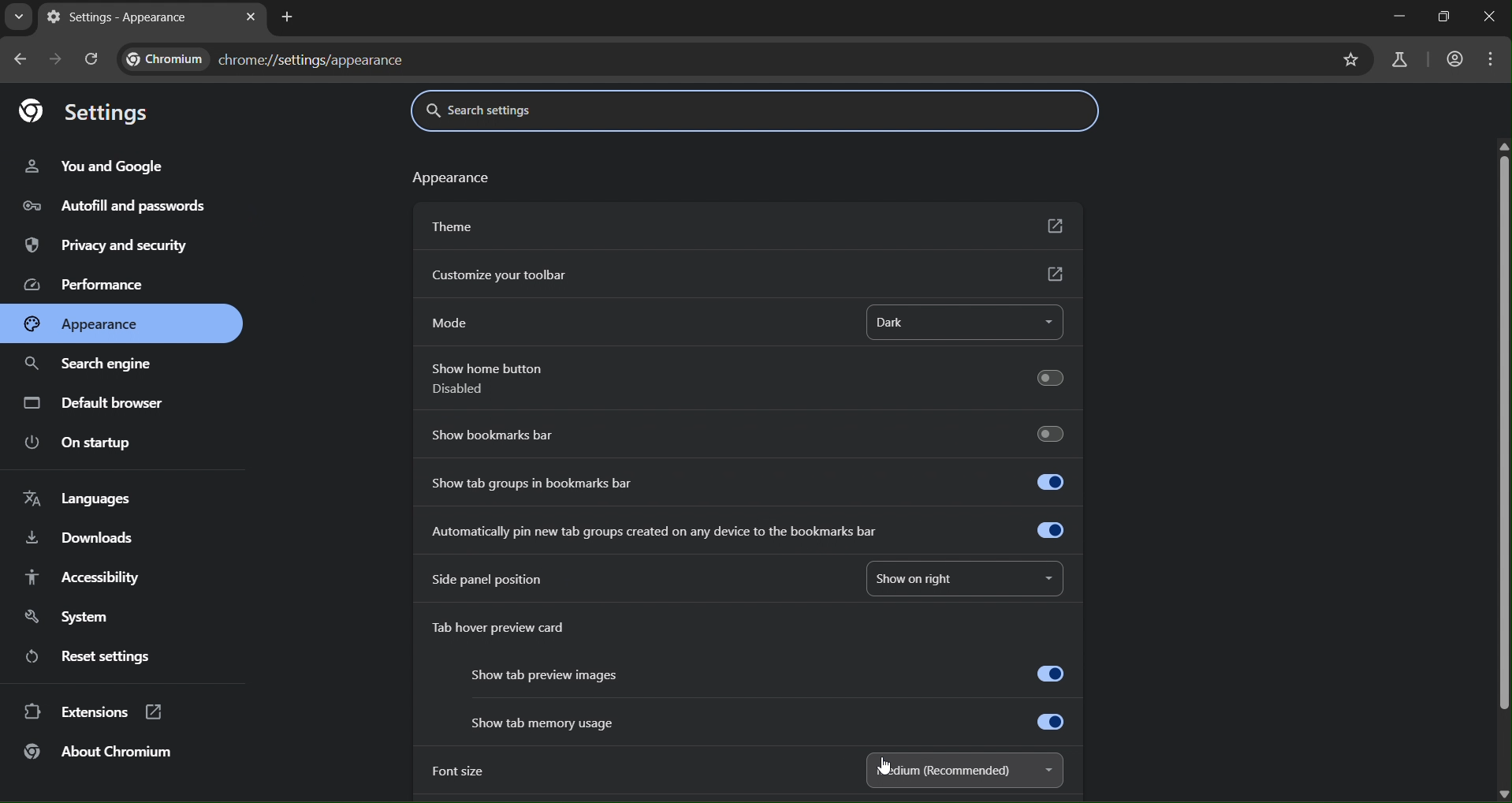  Describe the element at coordinates (750, 275) in the screenshot. I see `customize yr toolbar` at that location.